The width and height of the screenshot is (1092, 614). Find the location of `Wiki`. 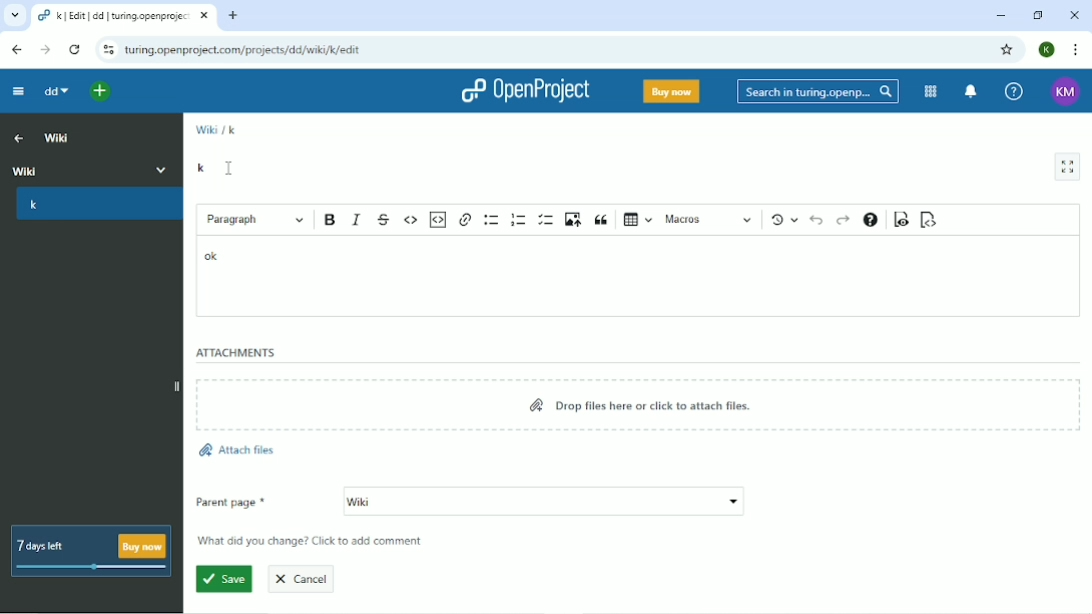

Wiki is located at coordinates (72, 168).